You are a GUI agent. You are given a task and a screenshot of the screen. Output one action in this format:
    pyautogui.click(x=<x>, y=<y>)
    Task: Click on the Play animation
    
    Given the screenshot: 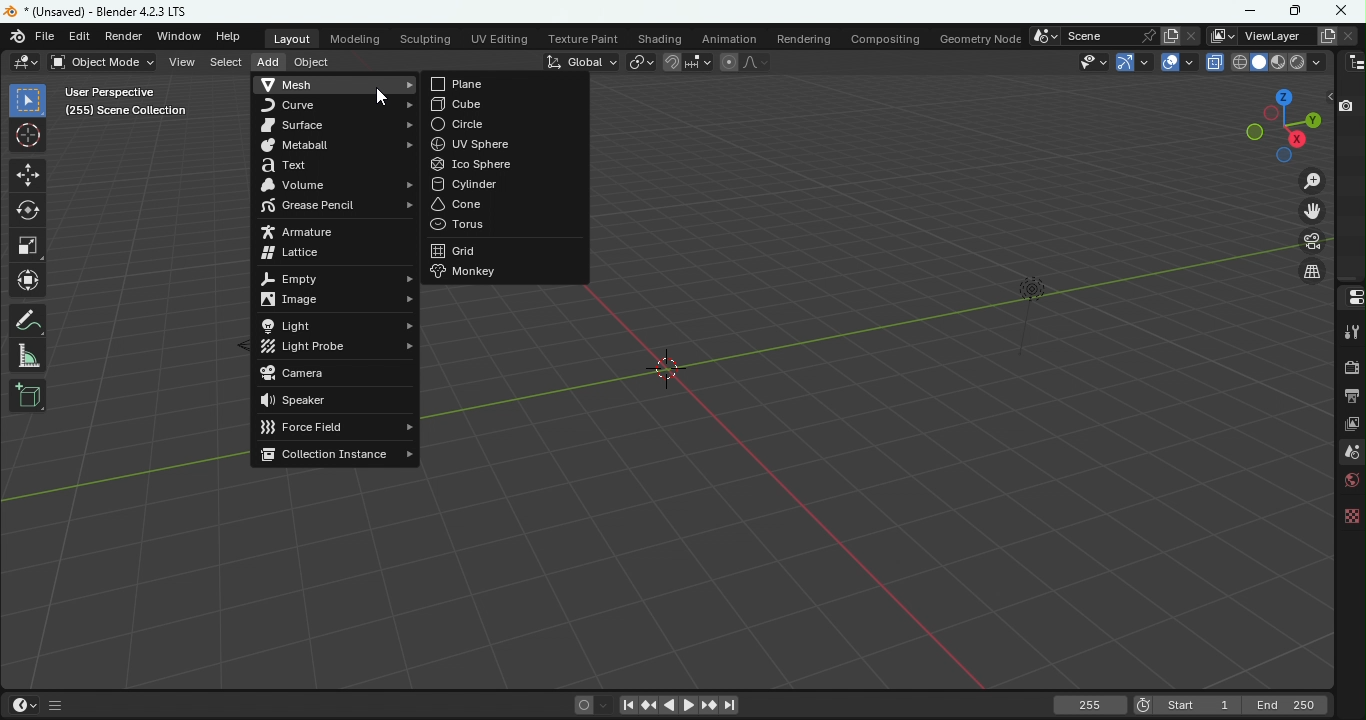 What is the action you would take?
    pyautogui.click(x=686, y=703)
    